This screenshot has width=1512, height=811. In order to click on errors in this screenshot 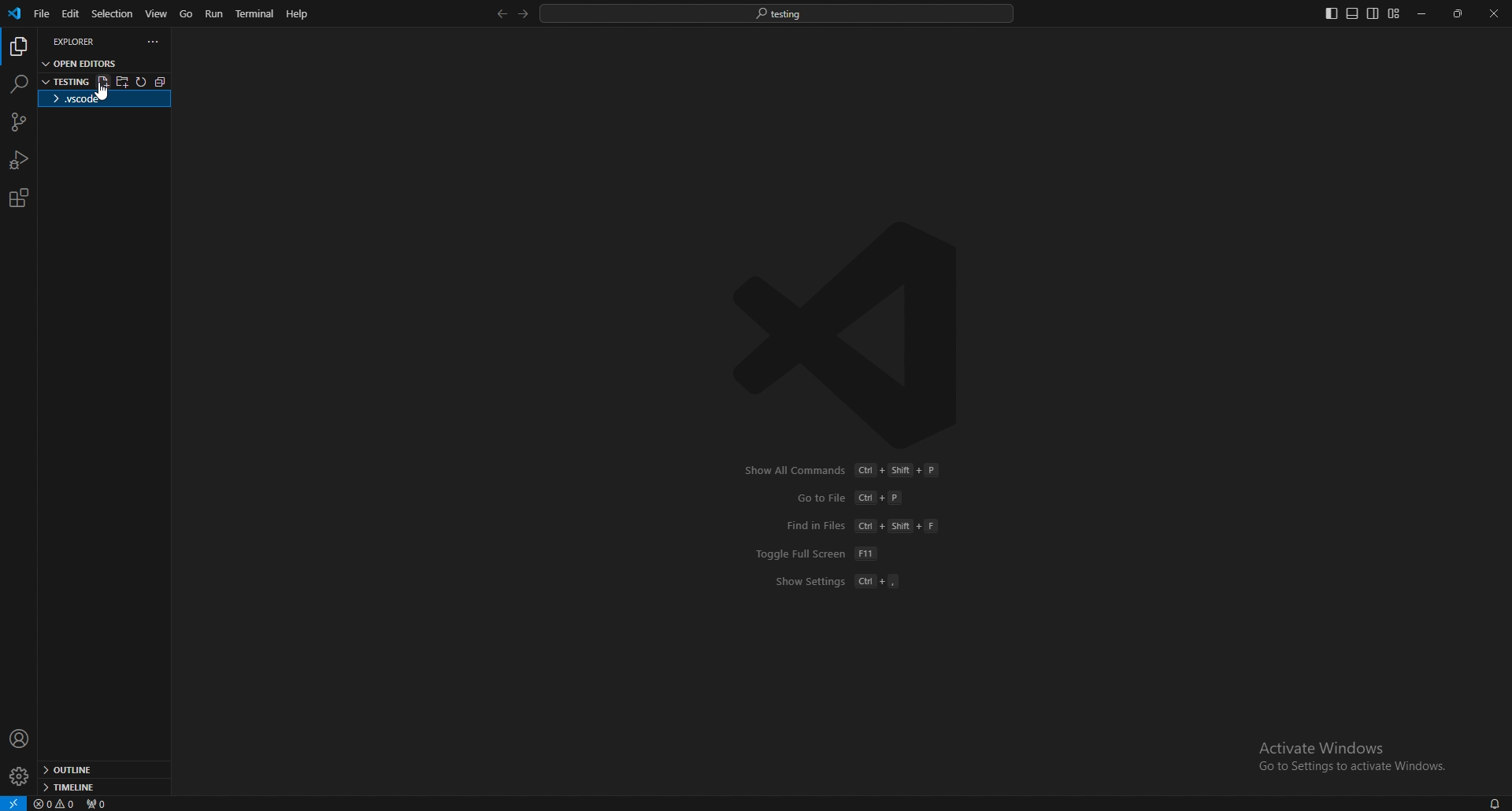, I will do `click(56, 805)`.